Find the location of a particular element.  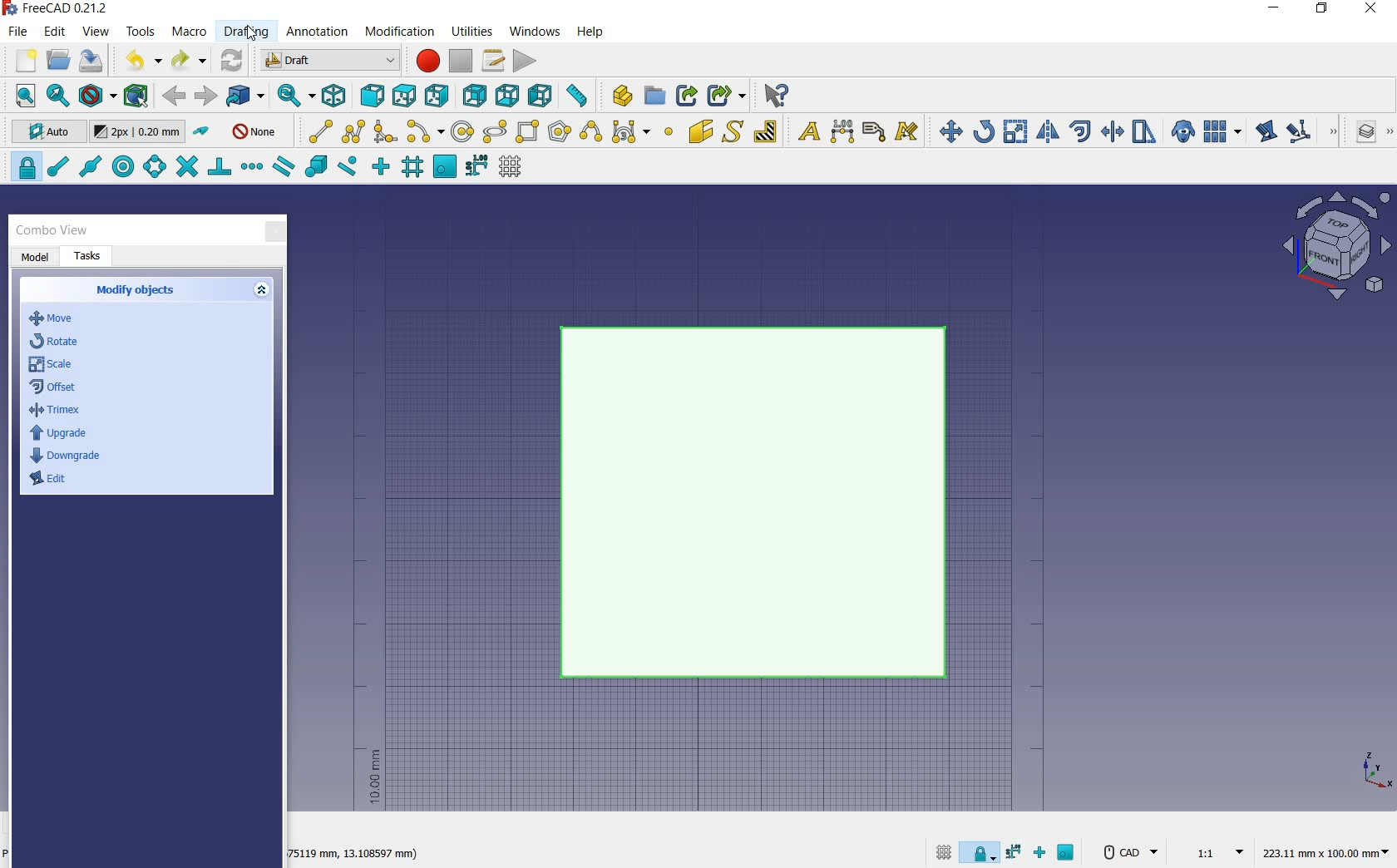

snap lock is located at coordinates (981, 849).